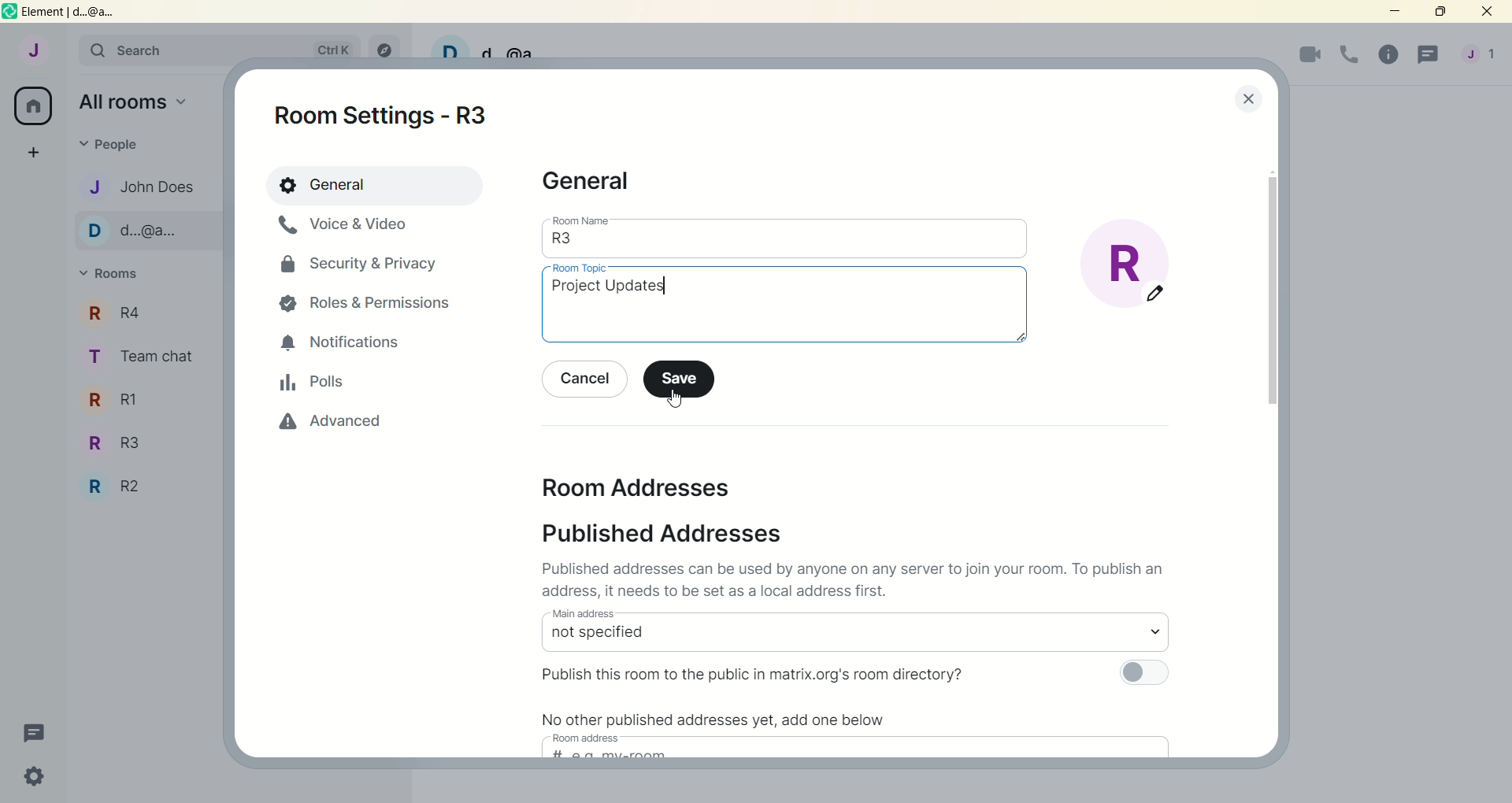  I want to click on search, so click(148, 52).